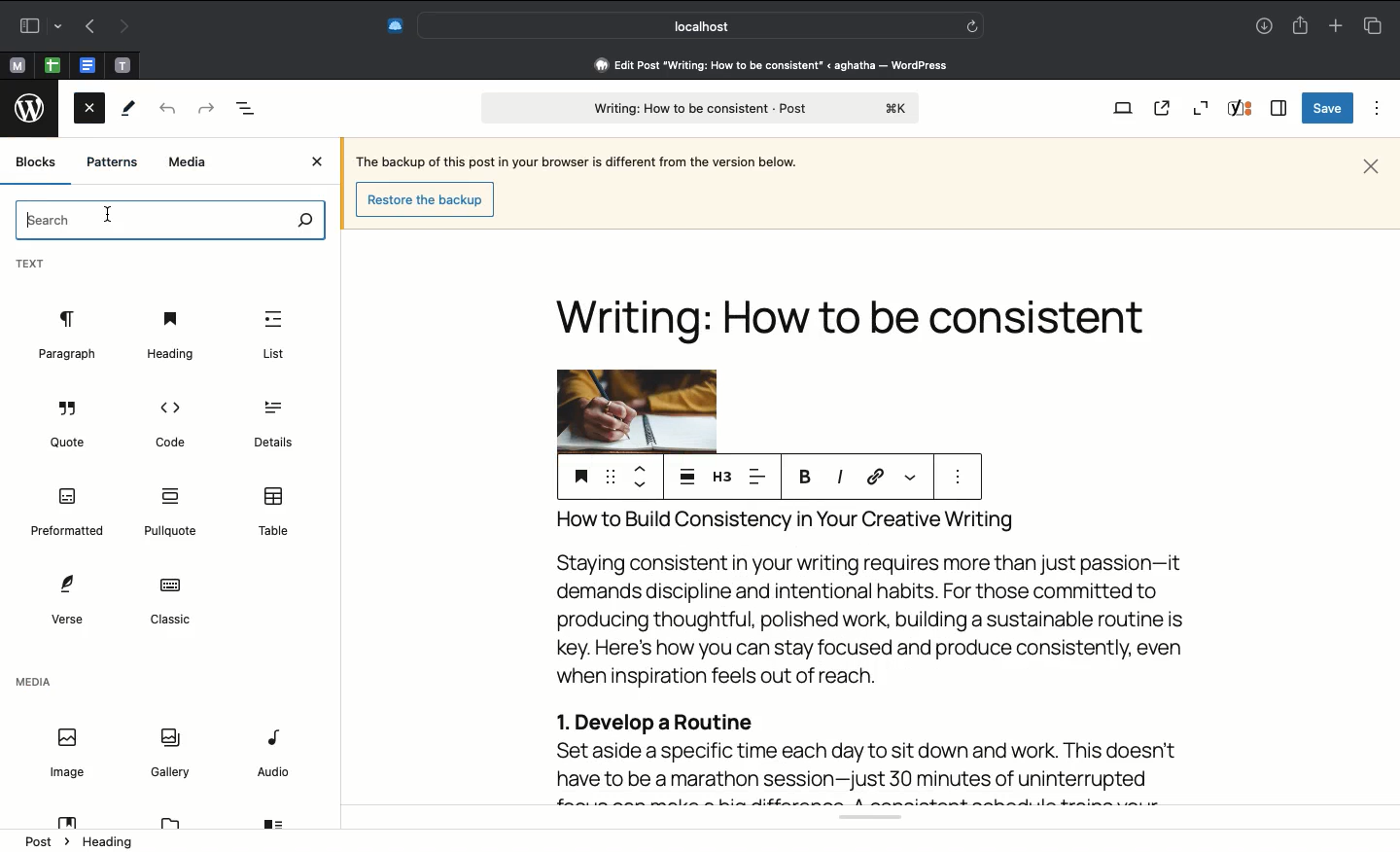 The height and width of the screenshot is (852, 1400). Describe the element at coordinates (170, 335) in the screenshot. I see `Heading` at that location.